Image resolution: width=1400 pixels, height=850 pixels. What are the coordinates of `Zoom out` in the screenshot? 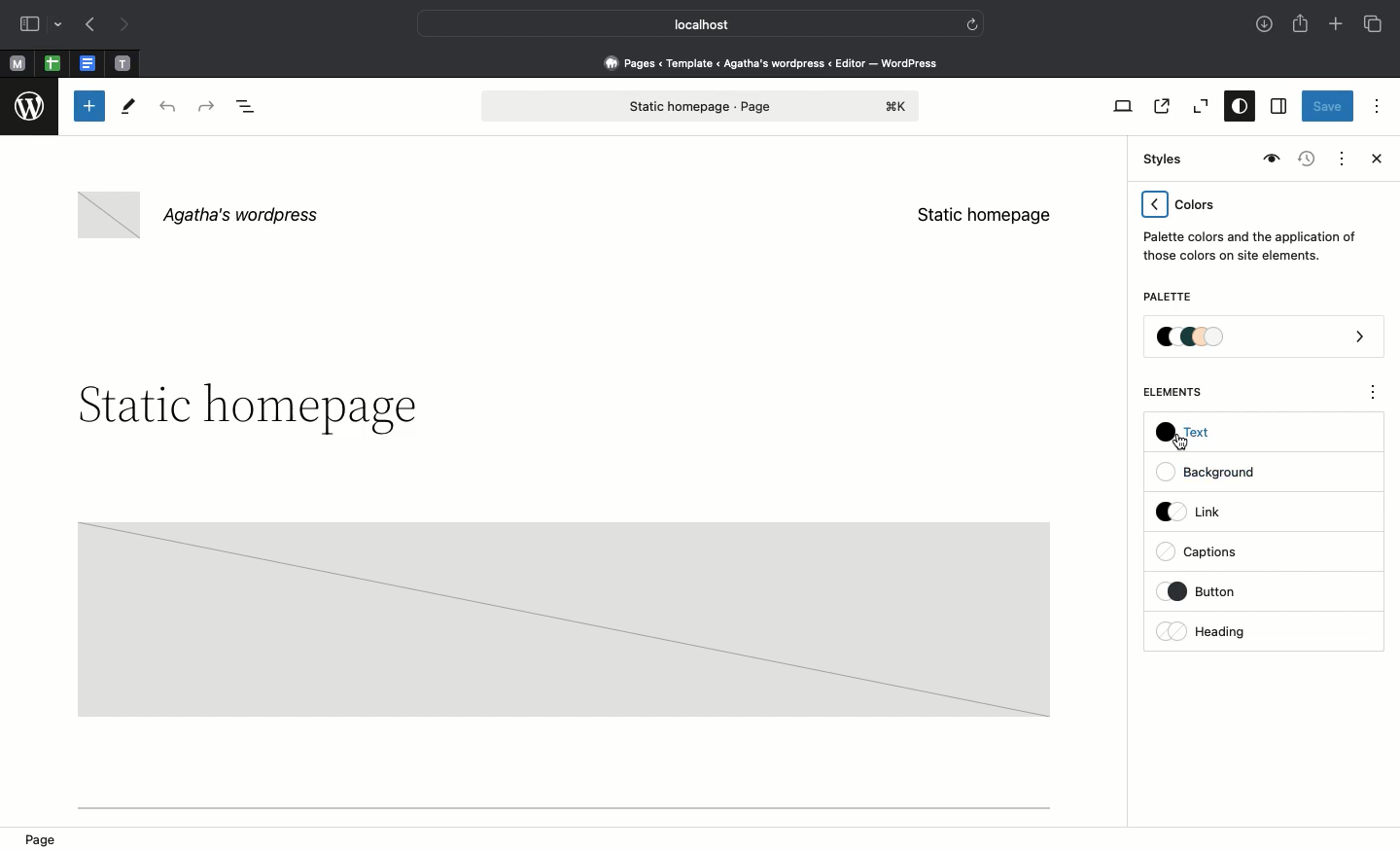 It's located at (1198, 107).